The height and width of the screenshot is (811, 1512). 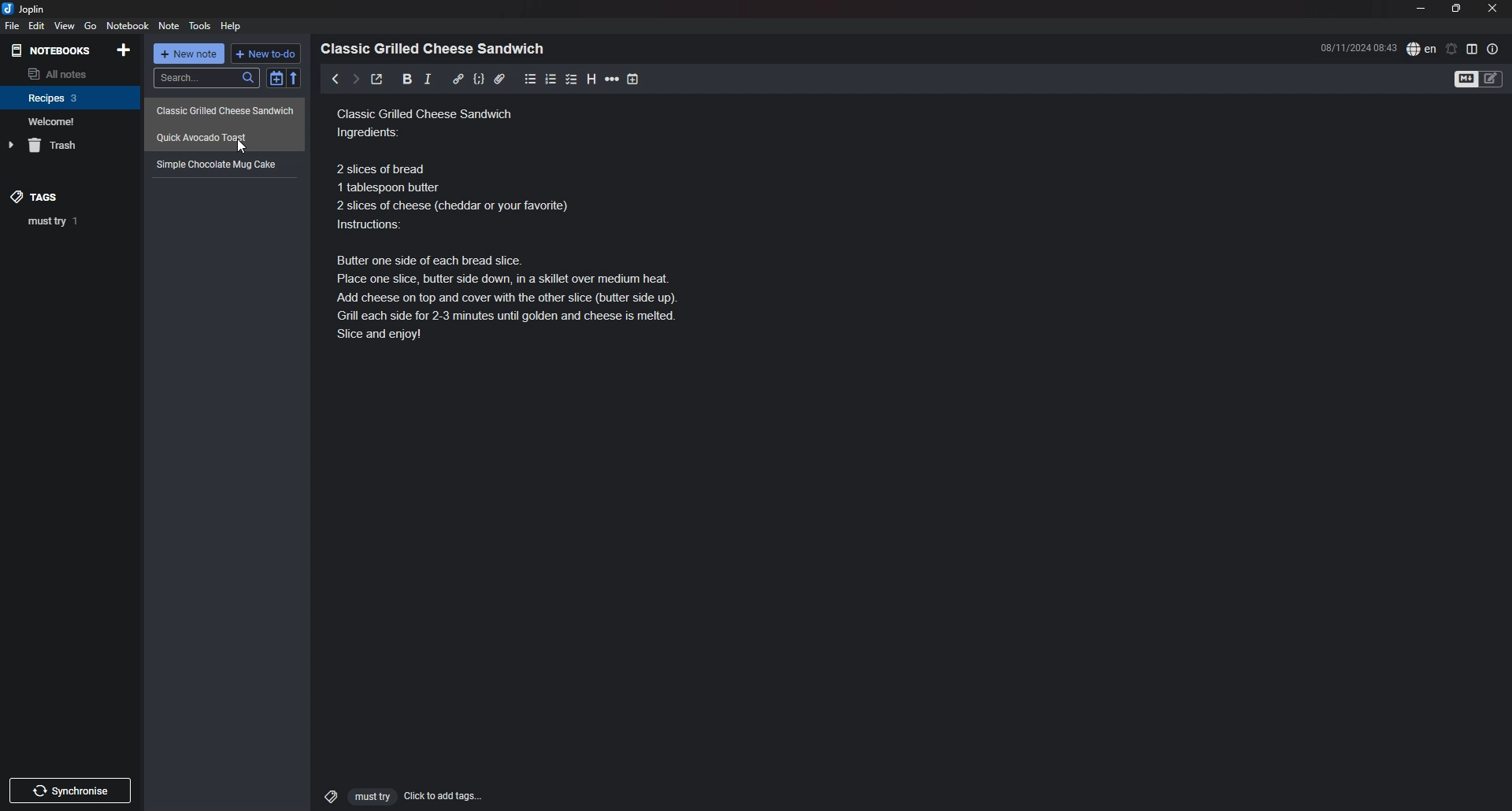 What do you see at coordinates (35, 26) in the screenshot?
I see `edit` at bounding box center [35, 26].